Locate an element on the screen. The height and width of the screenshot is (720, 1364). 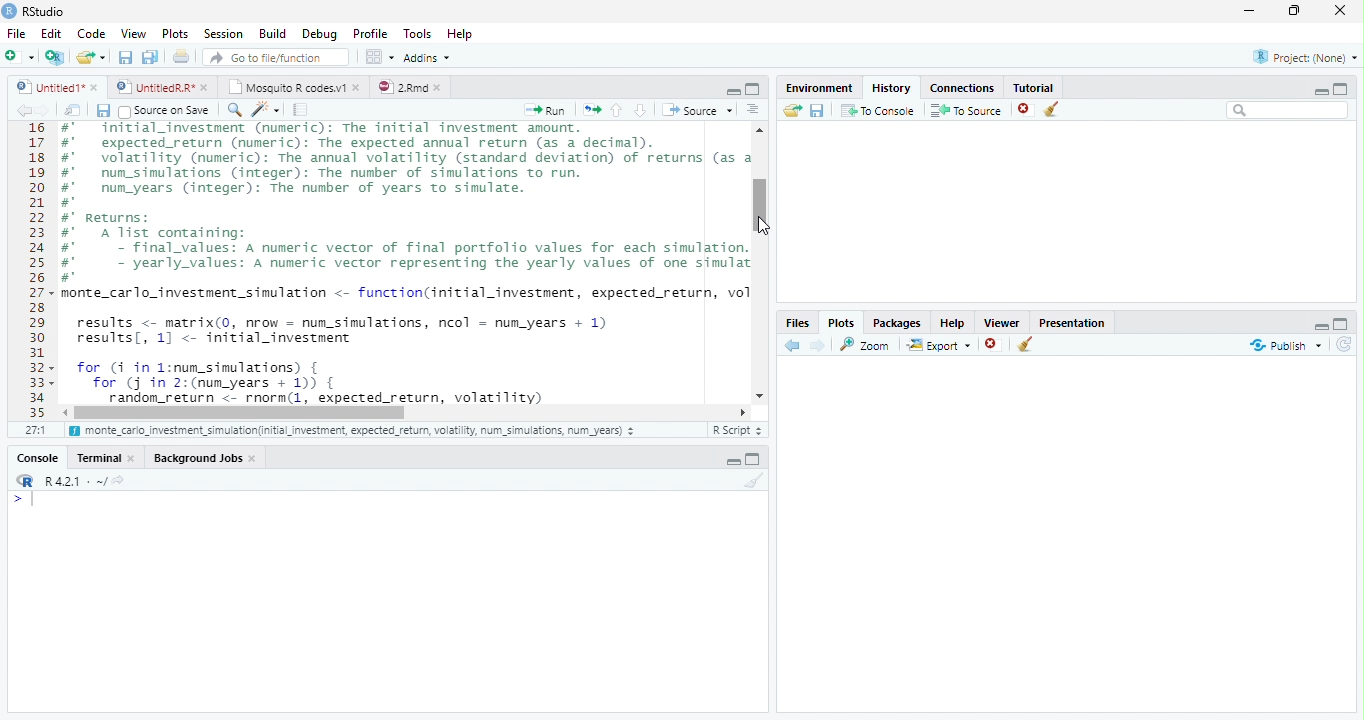
Addins is located at coordinates (428, 57).